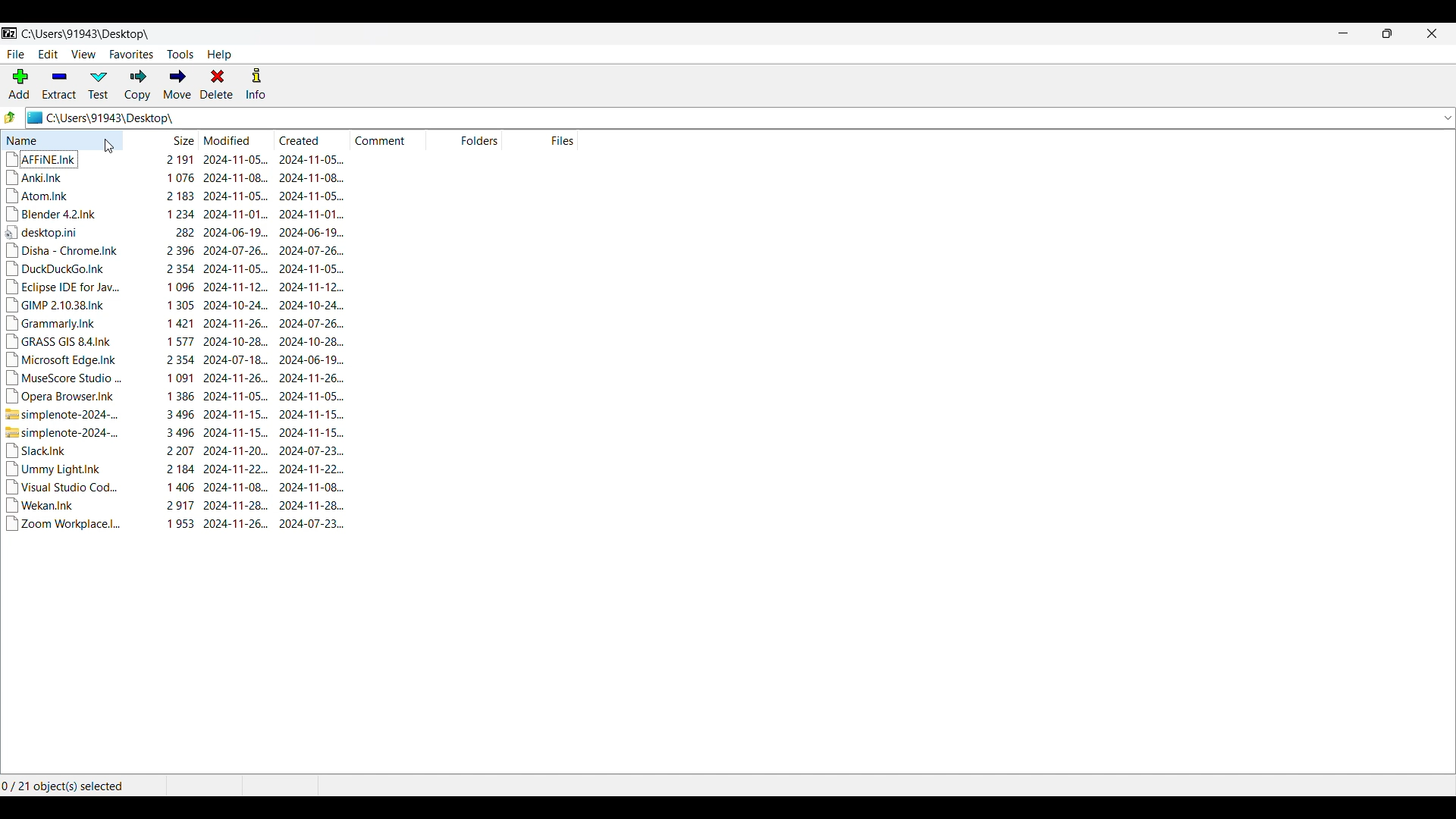 Image resolution: width=1456 pixels, height=819 pixels. What do you see at coordinates (180, 55) in the screenshot?
I see `Tools` at bounding box center [180, 55].